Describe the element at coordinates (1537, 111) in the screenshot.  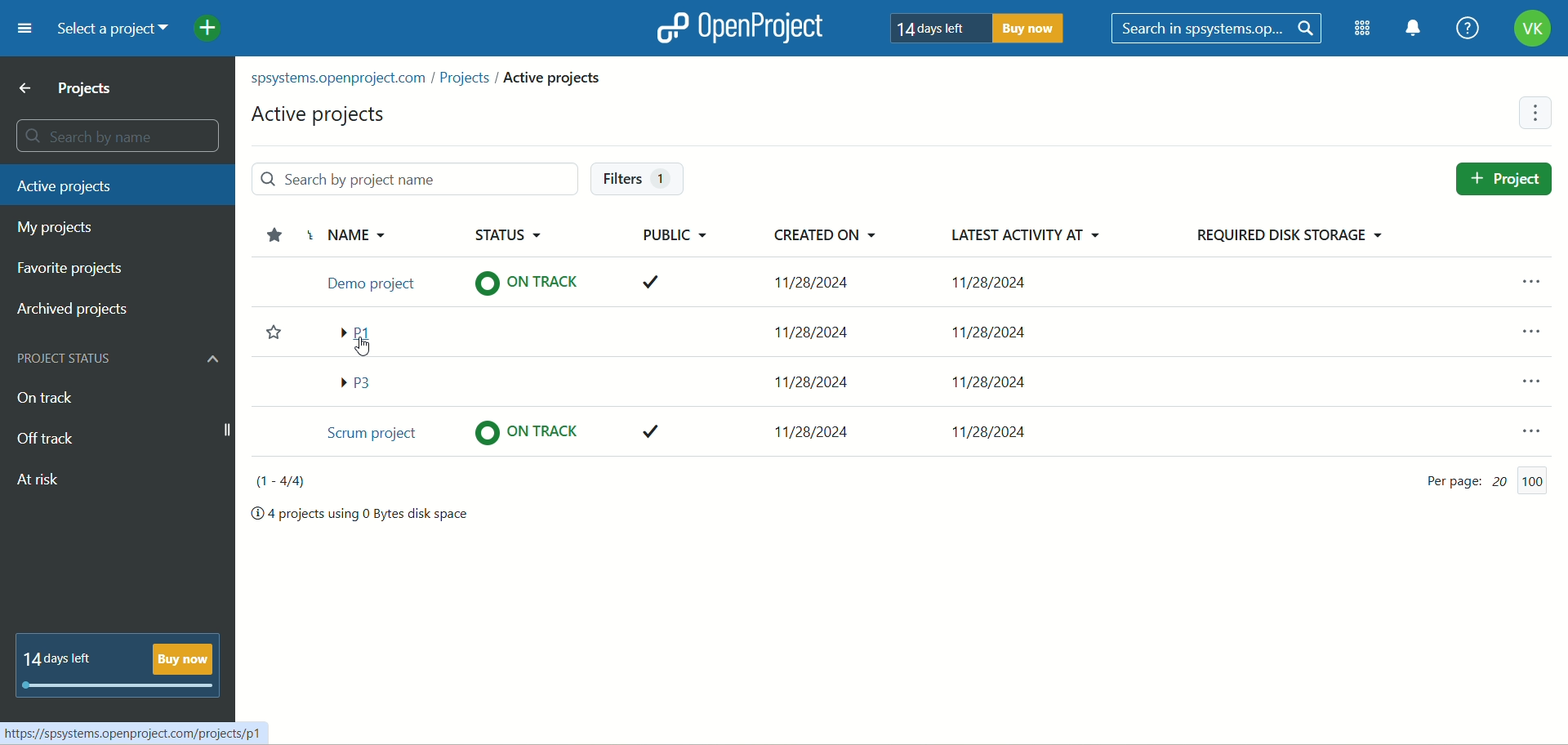
I see `more actions` at that location.